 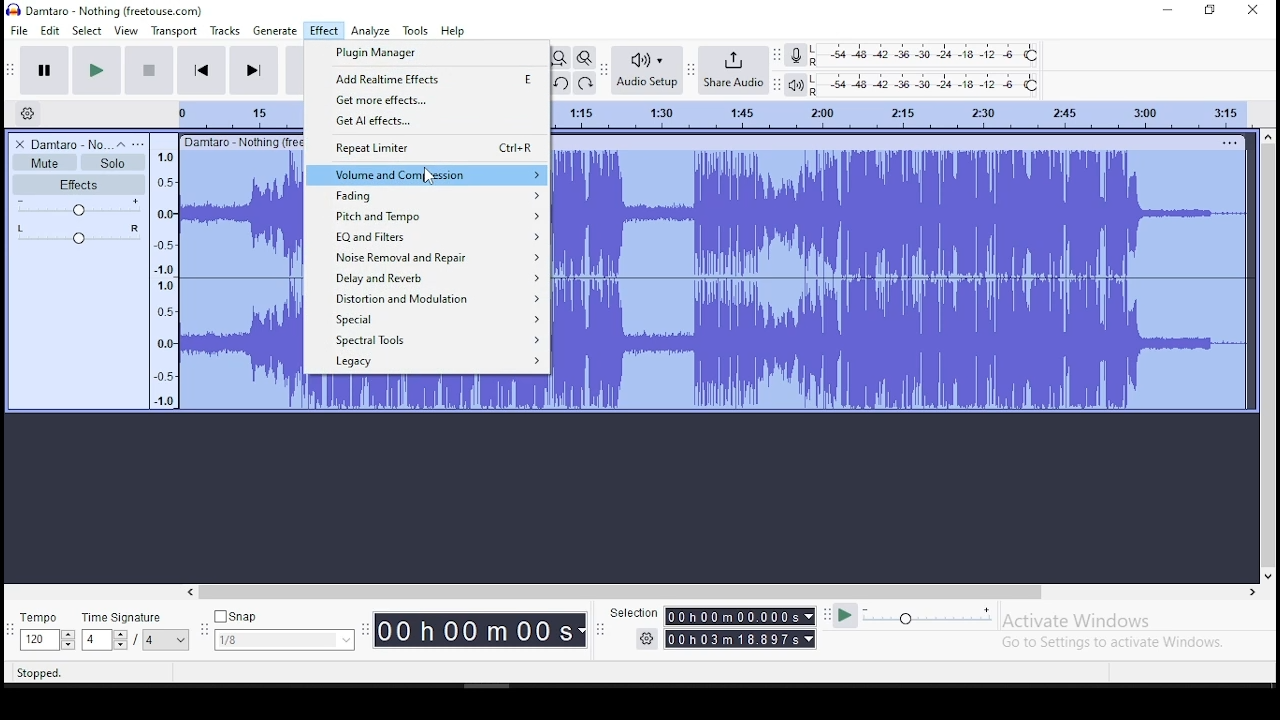 What do you see at coordinates (126, 30) in the screenshot?
I see `view` at bounding box center [126, 30].